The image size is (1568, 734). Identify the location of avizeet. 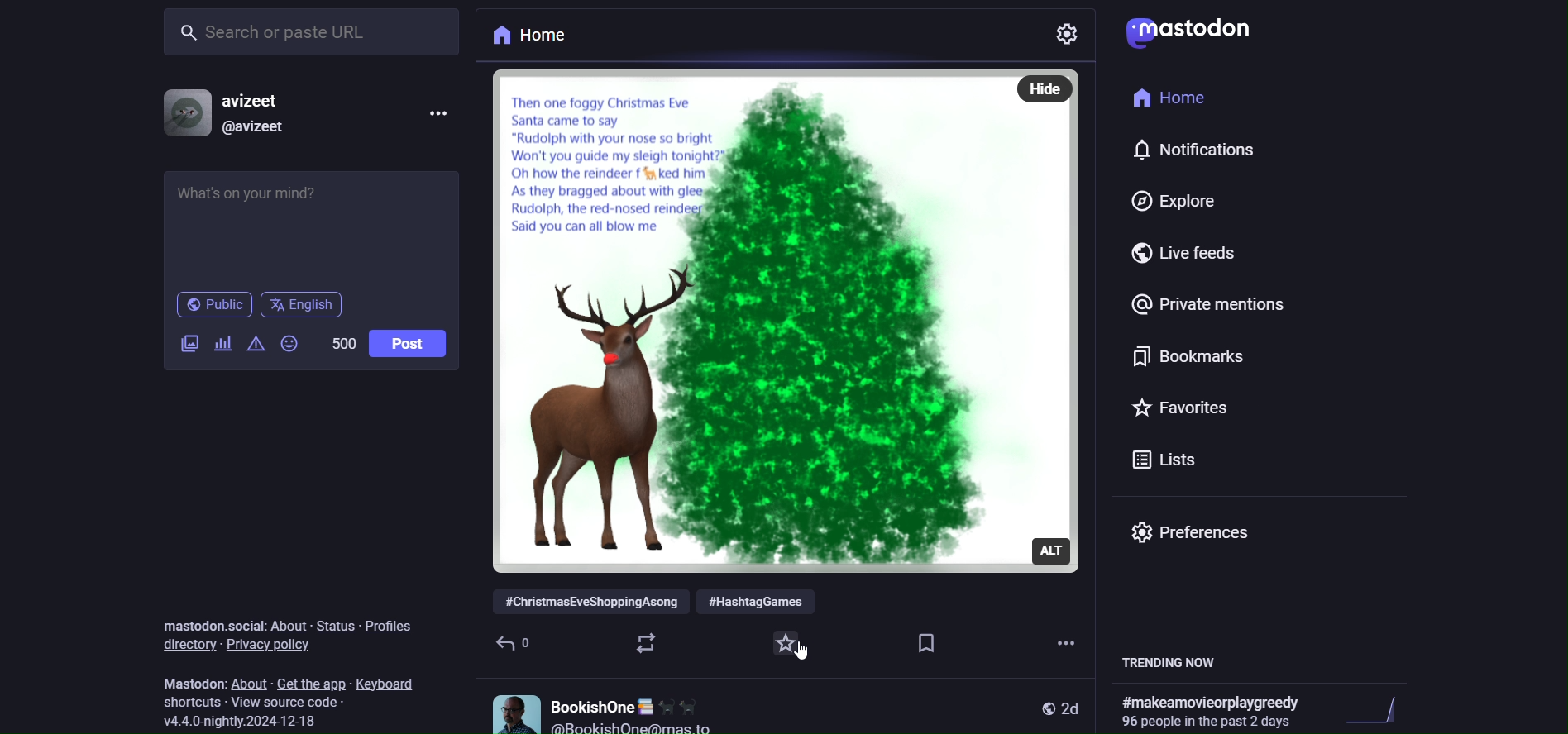
(256, 99).